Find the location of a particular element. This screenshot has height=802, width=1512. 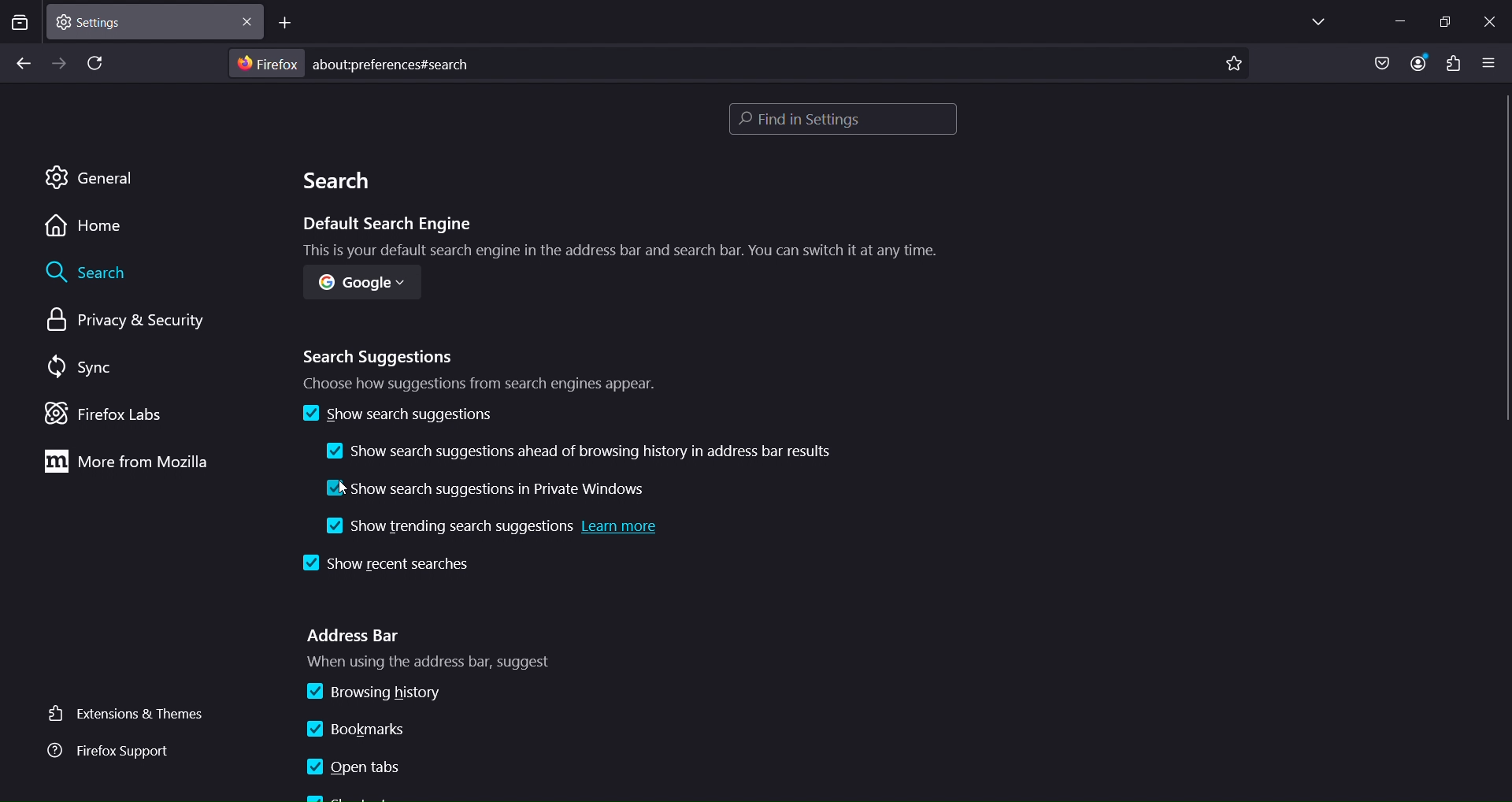

general is located at coordinates (95, 180).